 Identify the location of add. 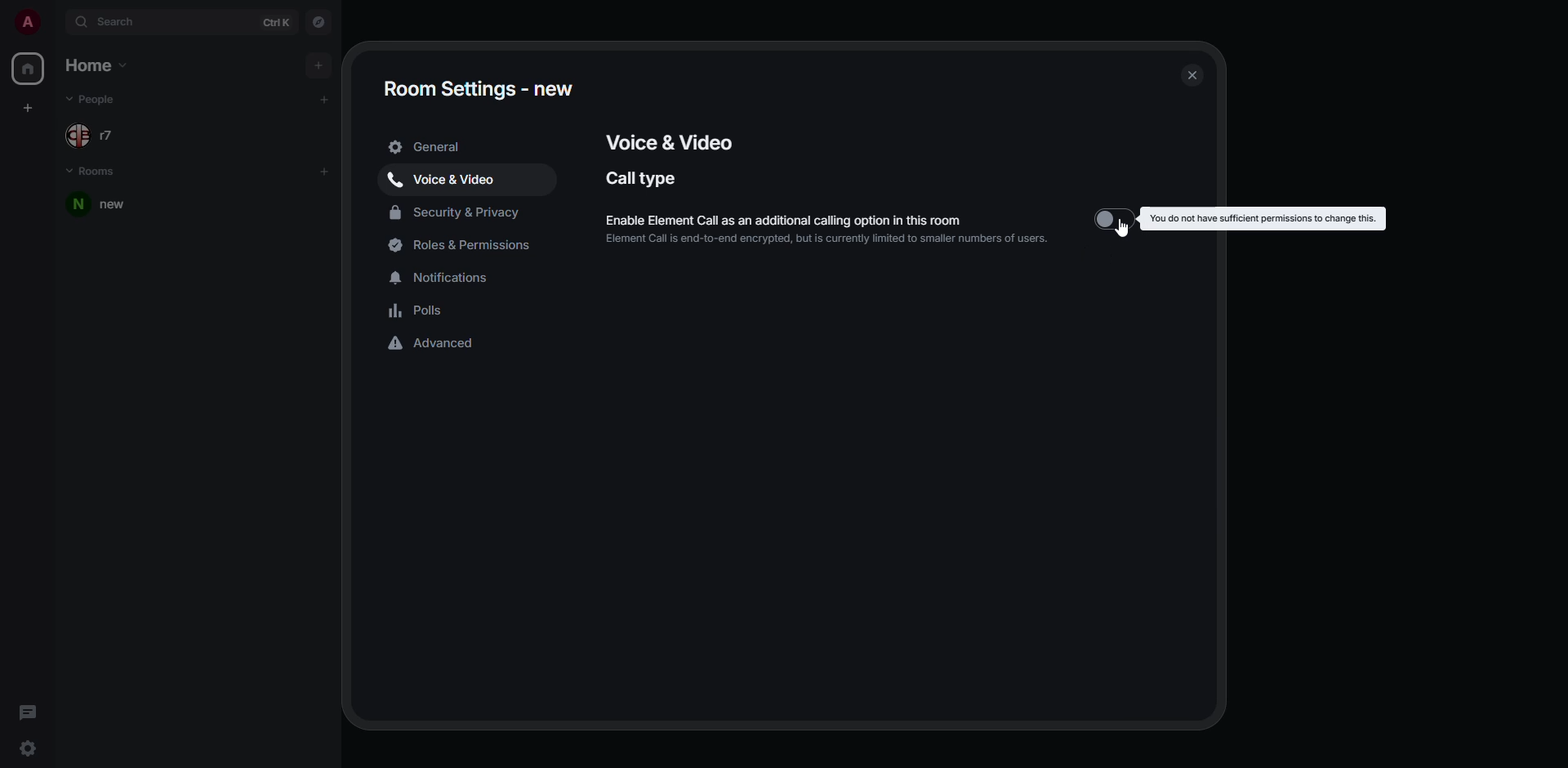
(318, 63).